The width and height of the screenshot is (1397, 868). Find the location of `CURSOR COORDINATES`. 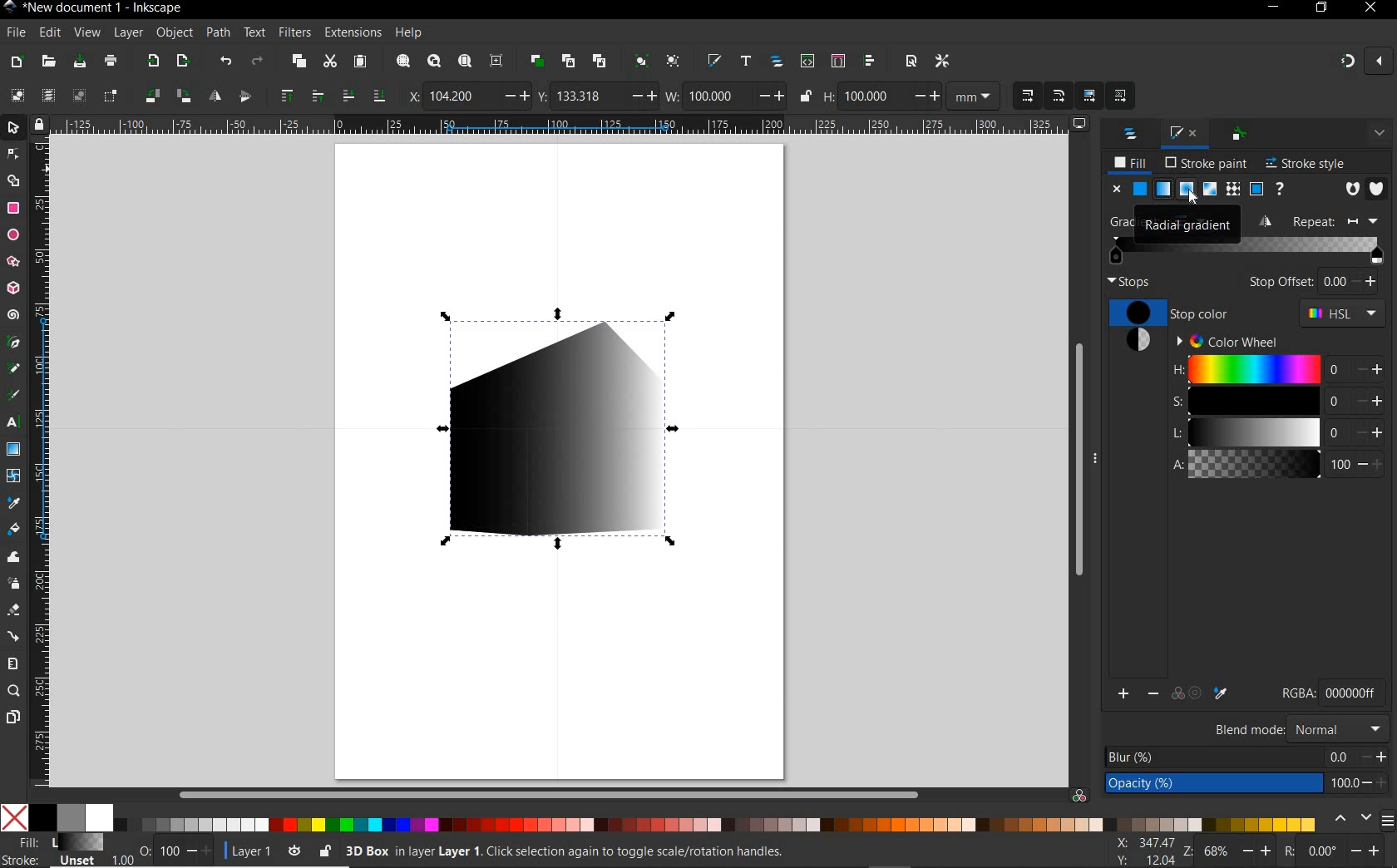

CURSOR COORDINATES is located at coordinates (1143, 850).